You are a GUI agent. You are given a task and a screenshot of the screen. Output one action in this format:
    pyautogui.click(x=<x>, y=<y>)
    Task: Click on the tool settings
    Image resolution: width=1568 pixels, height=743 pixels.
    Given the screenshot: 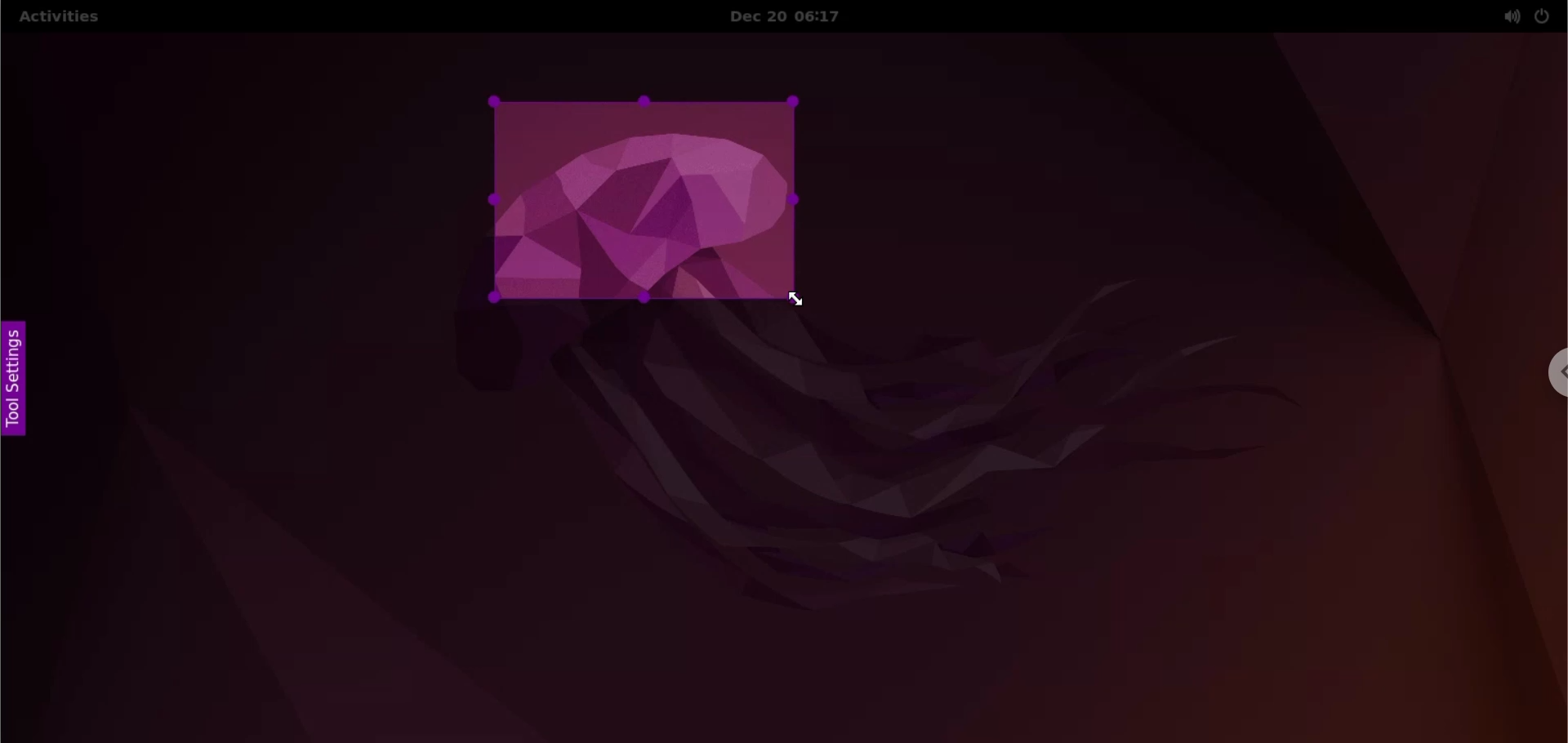 What is the action you would take?
    pyautogui.click(x=20, y=380)
    